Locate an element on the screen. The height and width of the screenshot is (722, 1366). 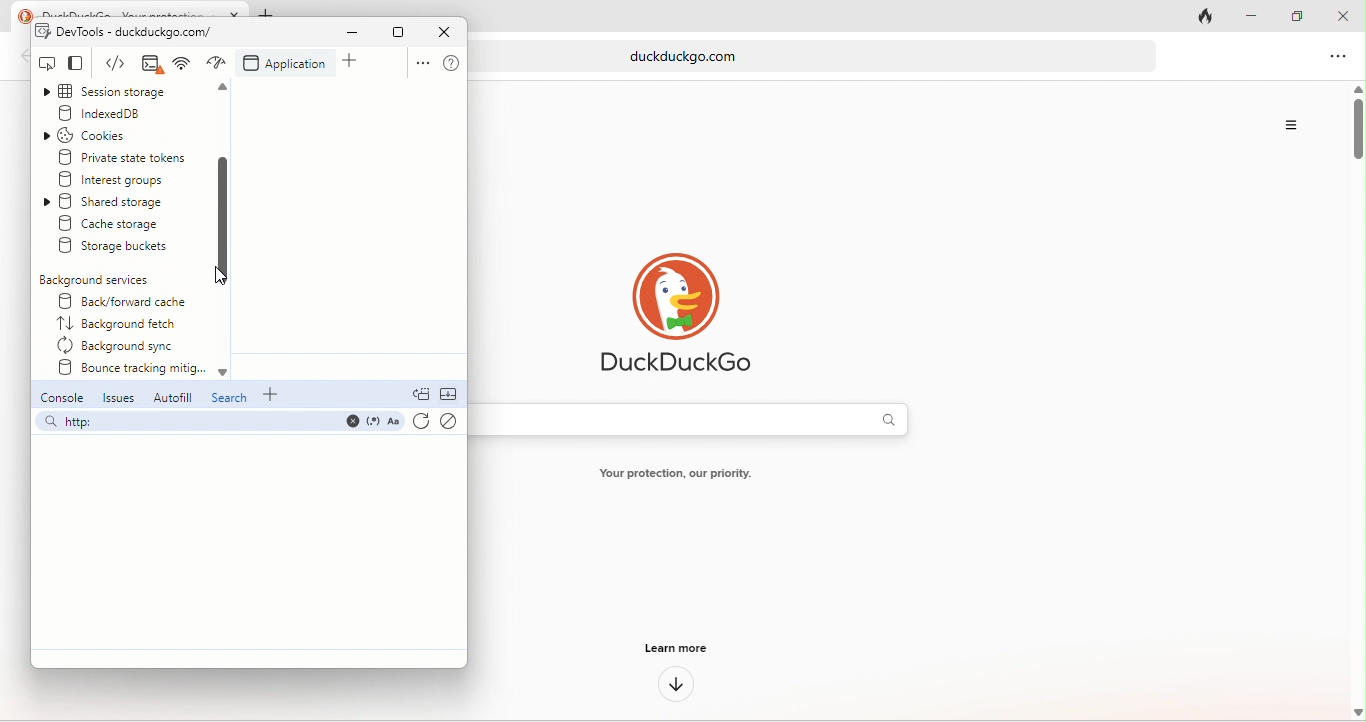
close is located at coordinates (1344, 17).